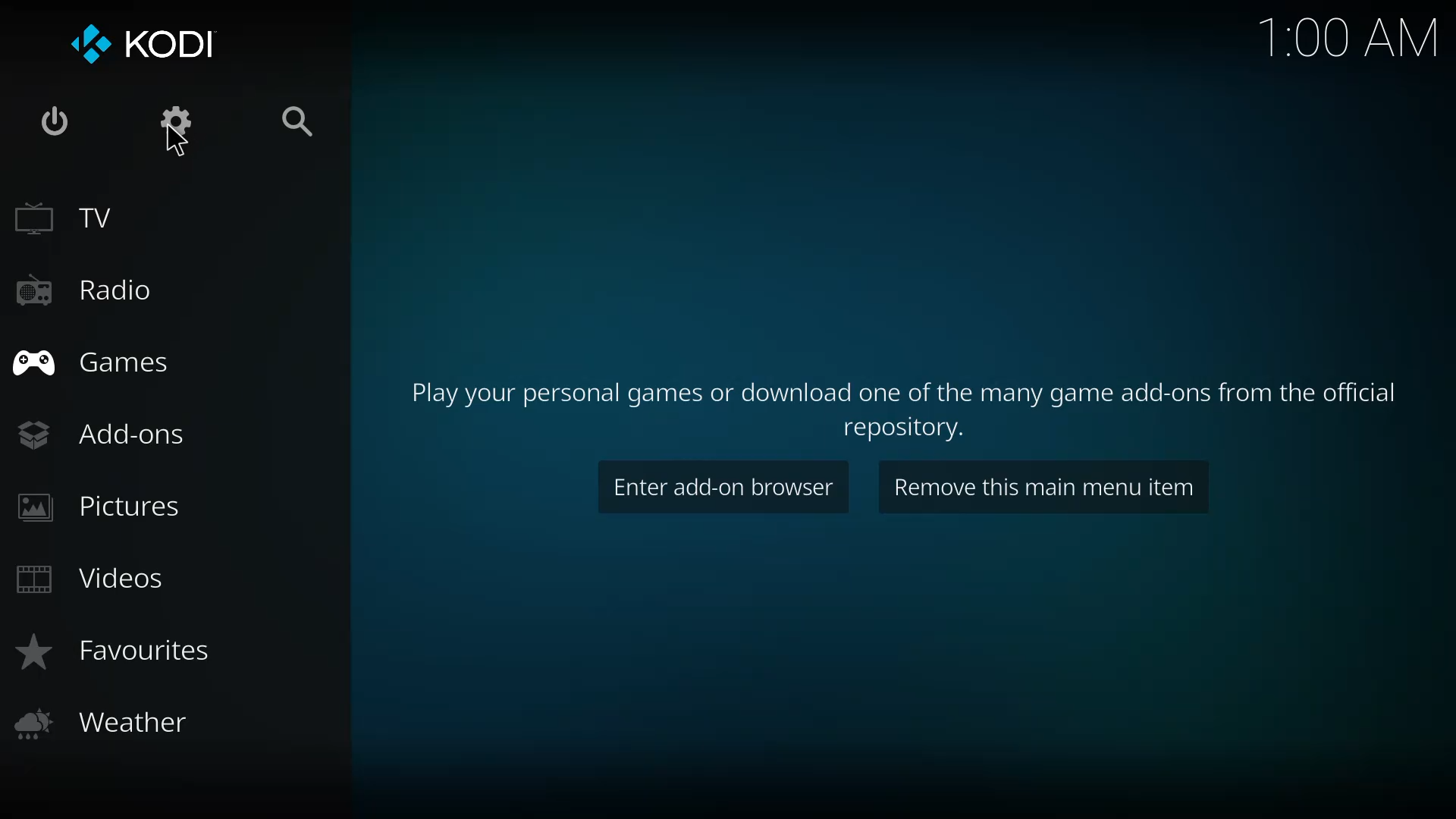  I want to click on radio, so click(86, 293).